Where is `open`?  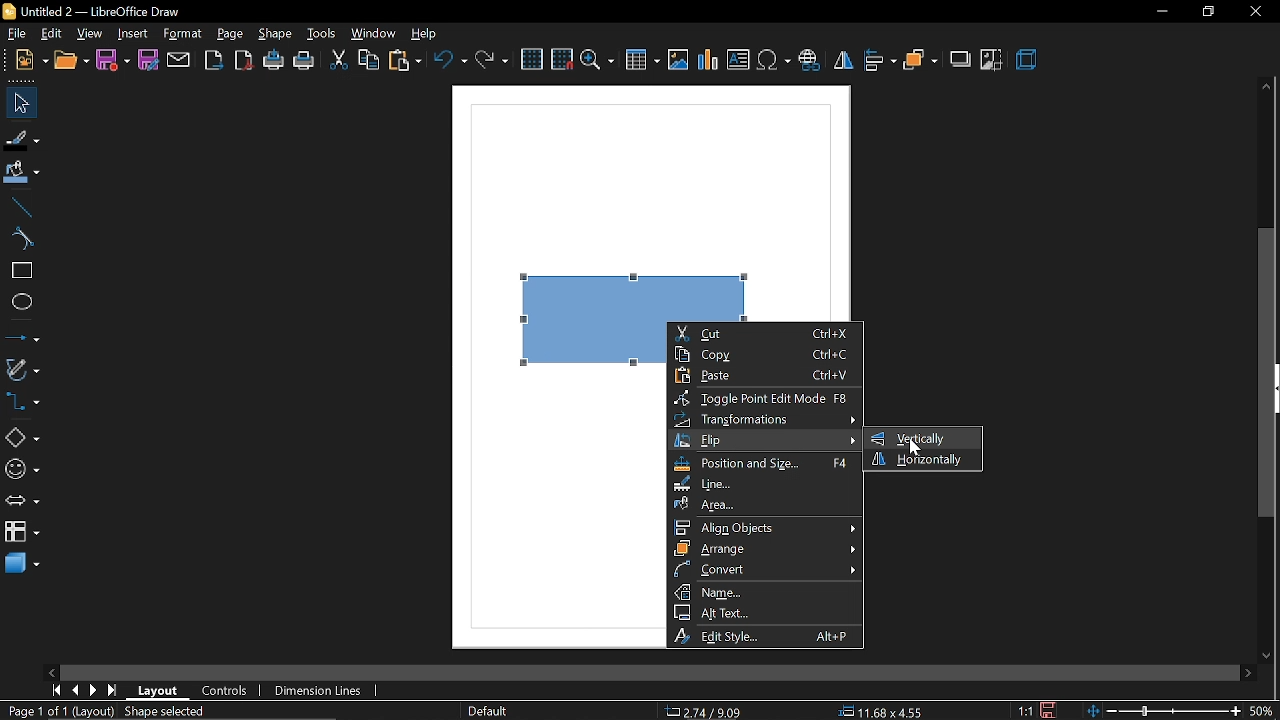
open is located at coordinates (70, 60).